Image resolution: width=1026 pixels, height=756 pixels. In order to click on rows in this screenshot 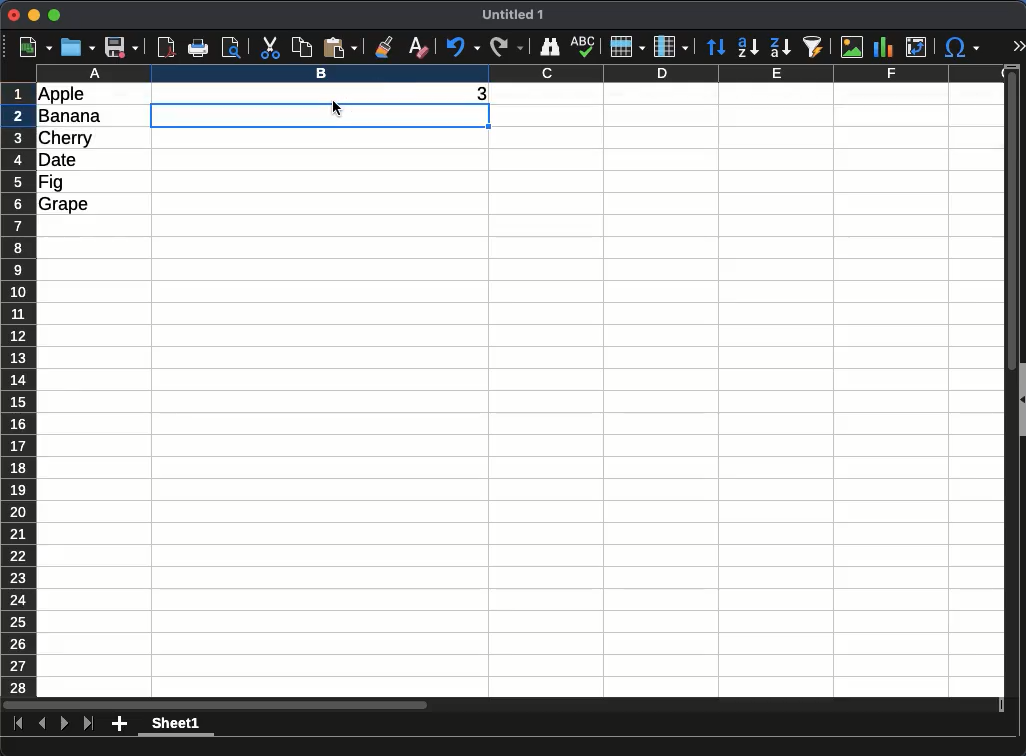, I will do `click(19, 390)`.